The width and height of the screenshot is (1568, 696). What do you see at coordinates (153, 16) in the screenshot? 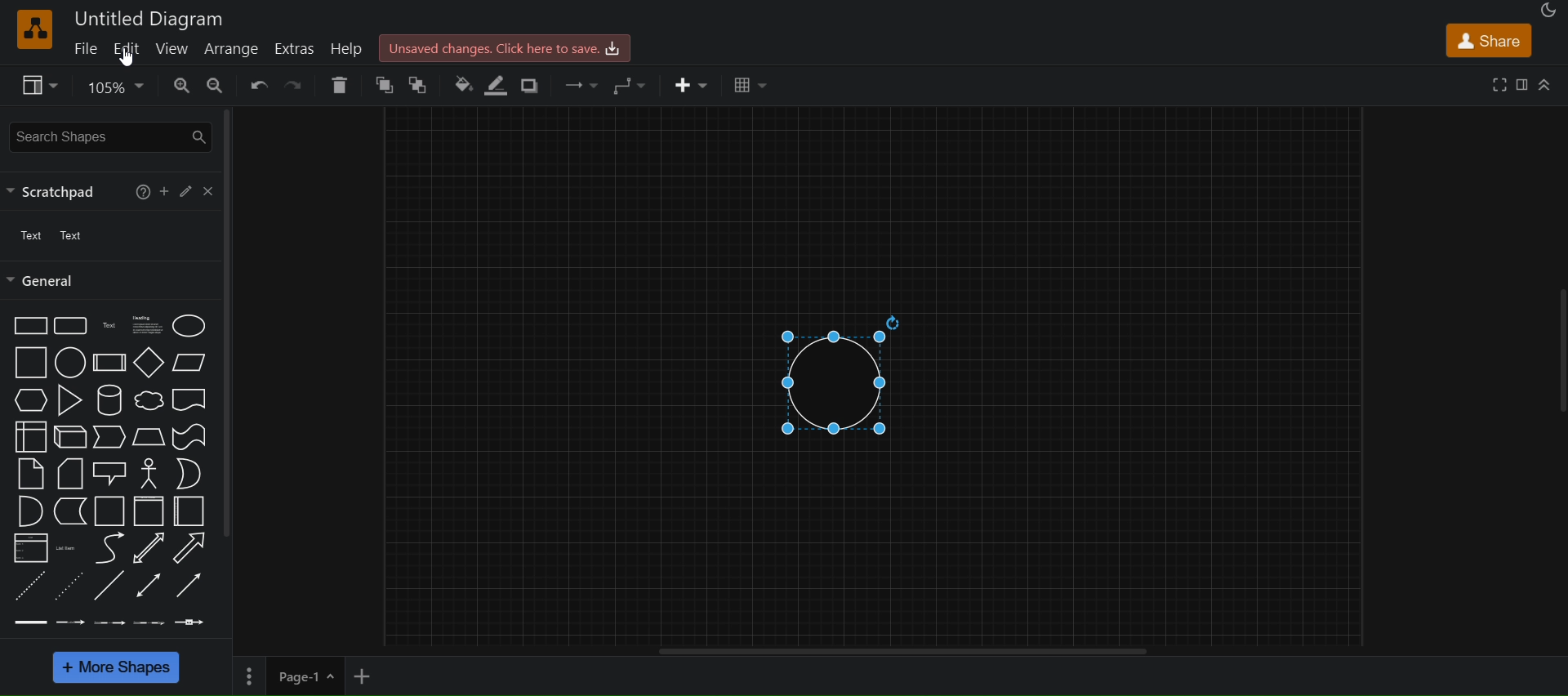
I see `untitled diagram` at bounding box center [153, 16].